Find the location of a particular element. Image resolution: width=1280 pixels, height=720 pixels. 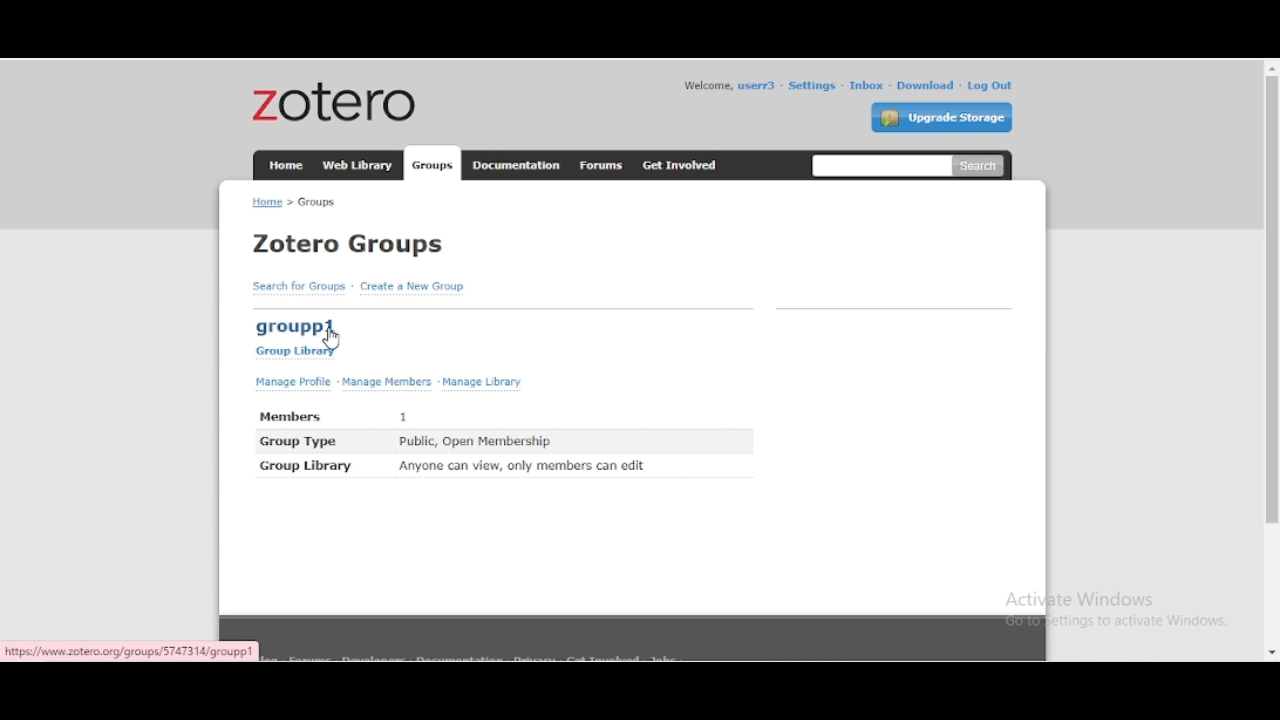

home is located at coordinates (267, 201).